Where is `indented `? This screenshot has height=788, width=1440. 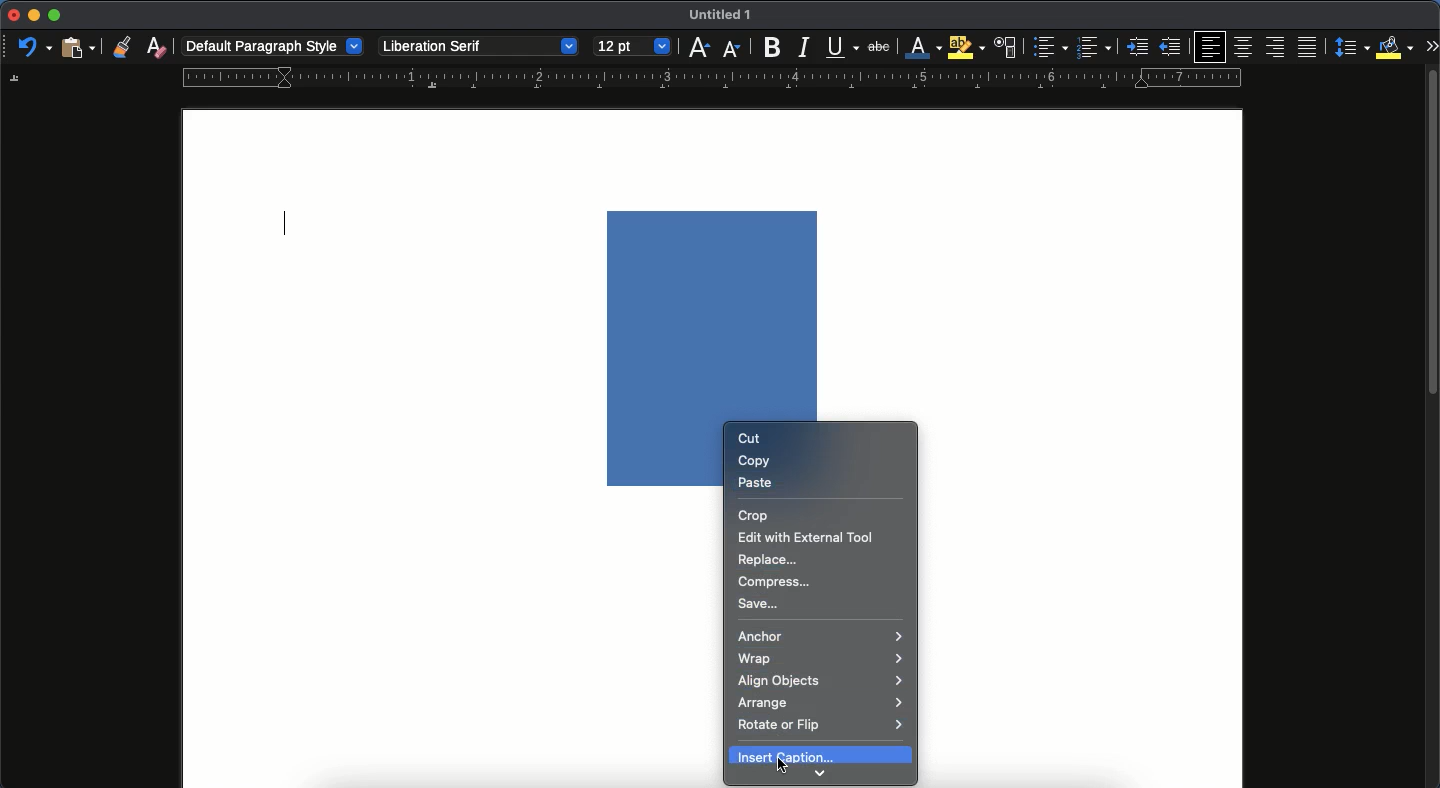
indented  is located at coordinates (1136, 48).